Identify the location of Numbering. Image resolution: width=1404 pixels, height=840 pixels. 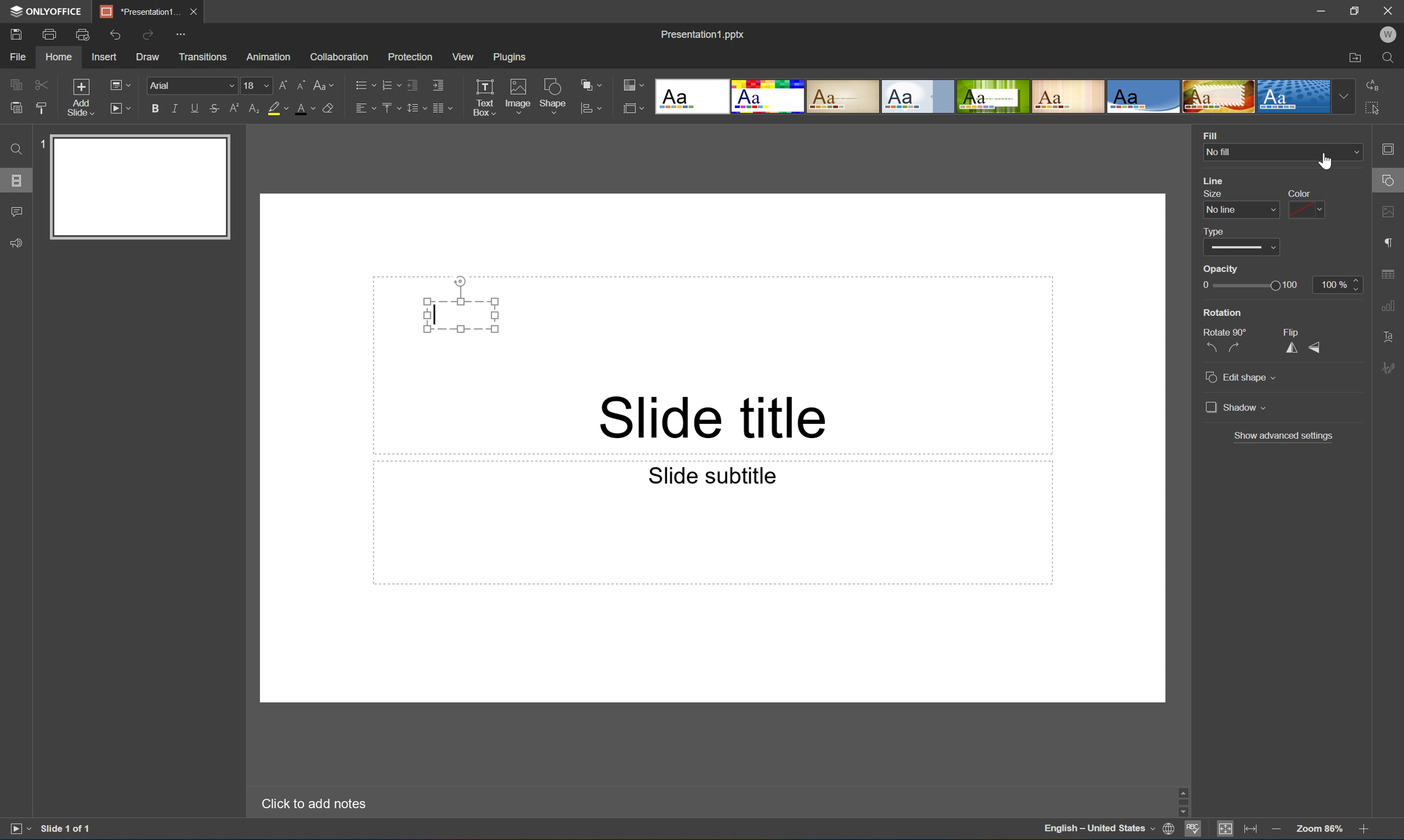
(389, 84).